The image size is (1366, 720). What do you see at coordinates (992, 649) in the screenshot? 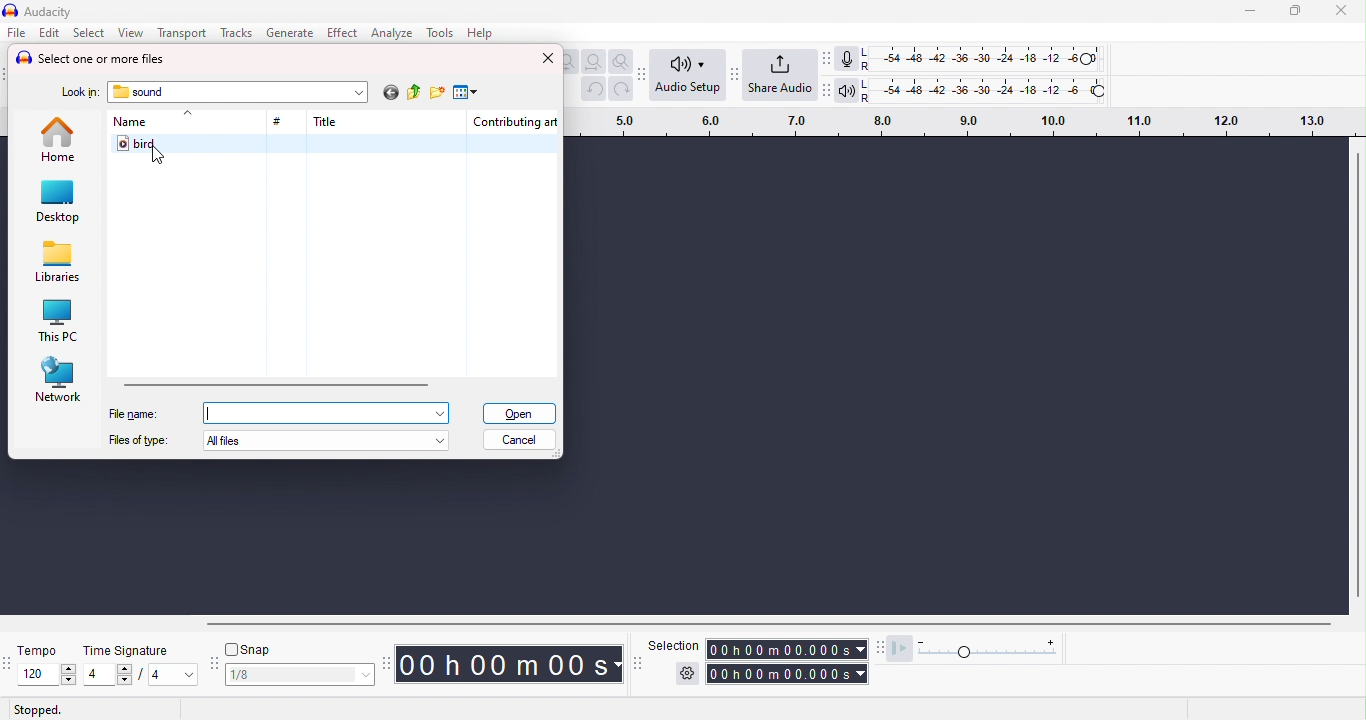
I see `playback speed` at bounding box center [992, 649].